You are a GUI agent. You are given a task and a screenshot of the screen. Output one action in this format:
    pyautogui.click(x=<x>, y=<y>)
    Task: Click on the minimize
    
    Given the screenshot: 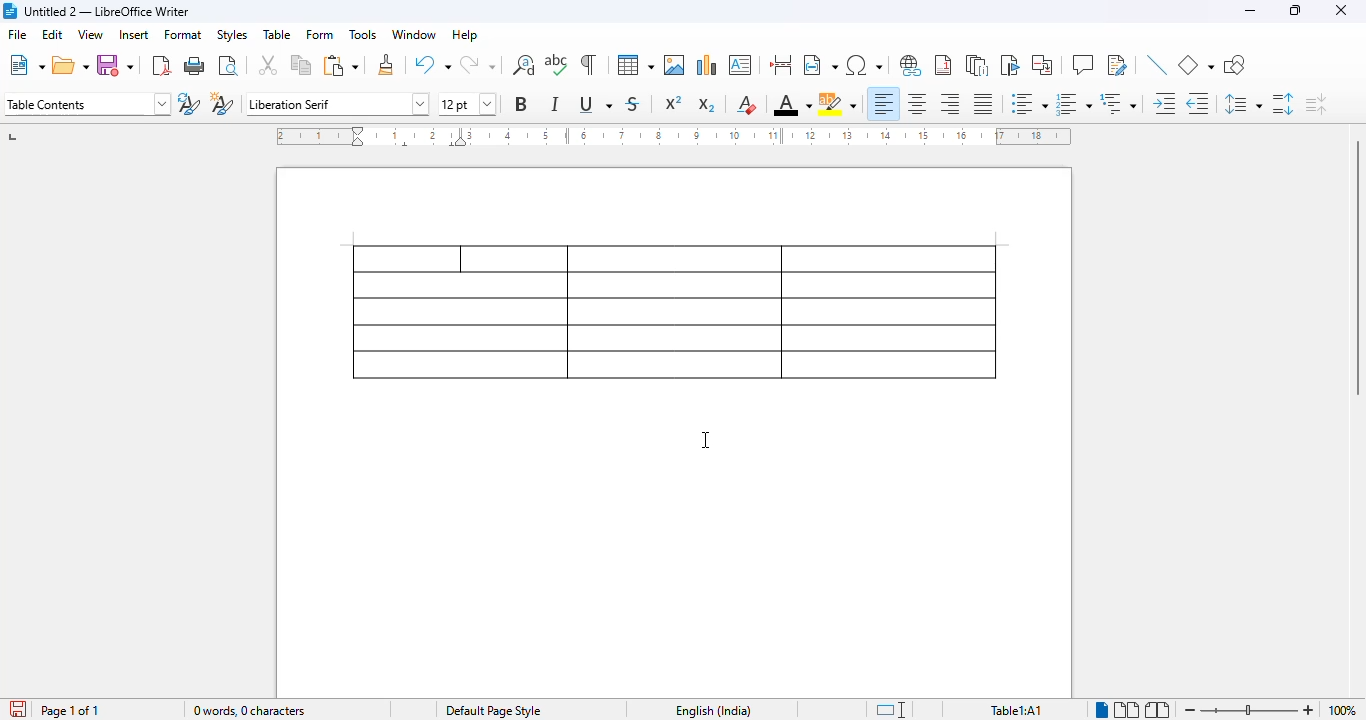 What is the action you would take?
    pyautogui.click(x=1250, y=11)
    